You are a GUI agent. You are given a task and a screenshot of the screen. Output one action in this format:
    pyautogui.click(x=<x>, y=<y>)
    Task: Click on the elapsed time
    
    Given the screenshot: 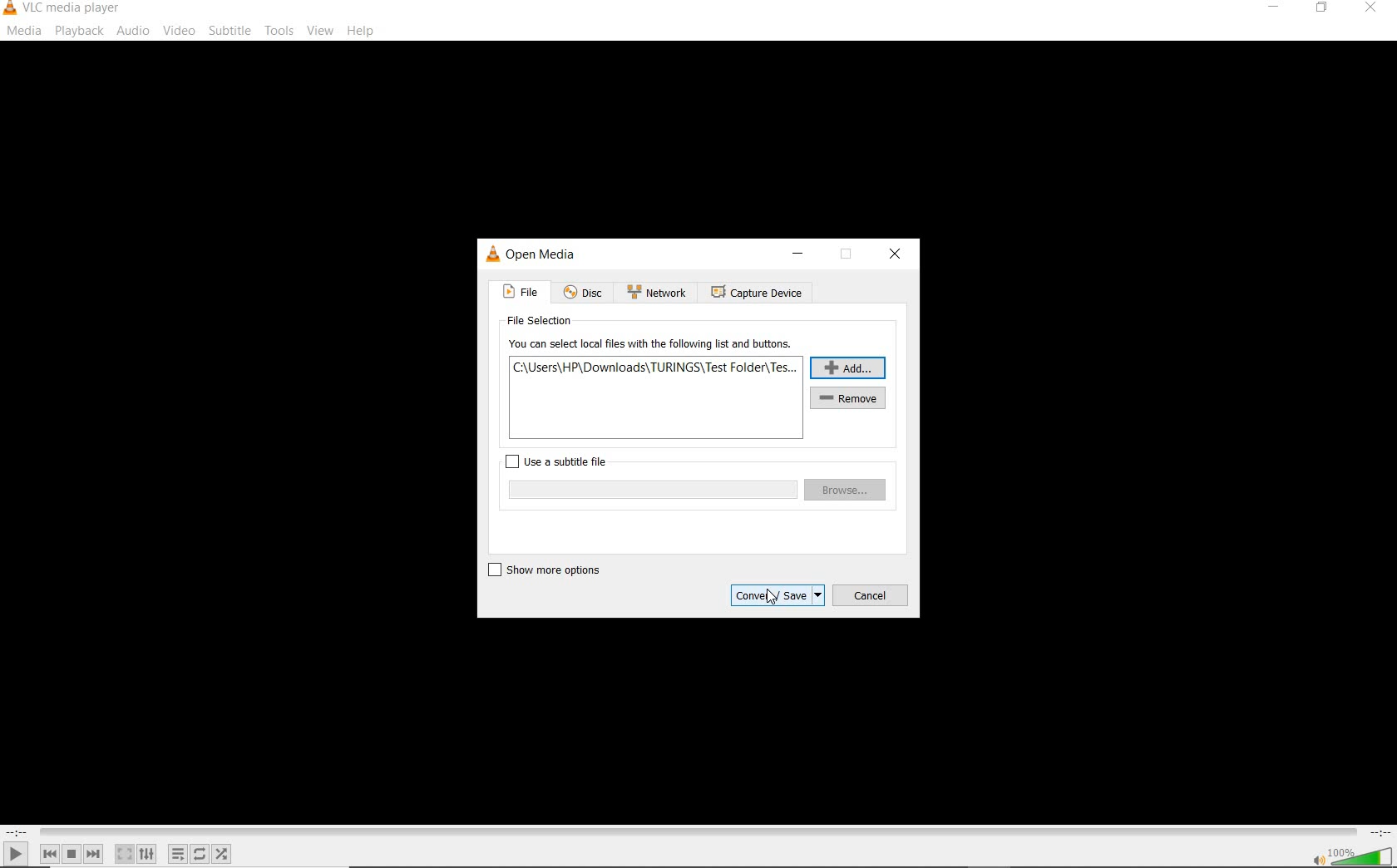 What is the action you would take?
    pyautogui.click(x=17, y=832)
    